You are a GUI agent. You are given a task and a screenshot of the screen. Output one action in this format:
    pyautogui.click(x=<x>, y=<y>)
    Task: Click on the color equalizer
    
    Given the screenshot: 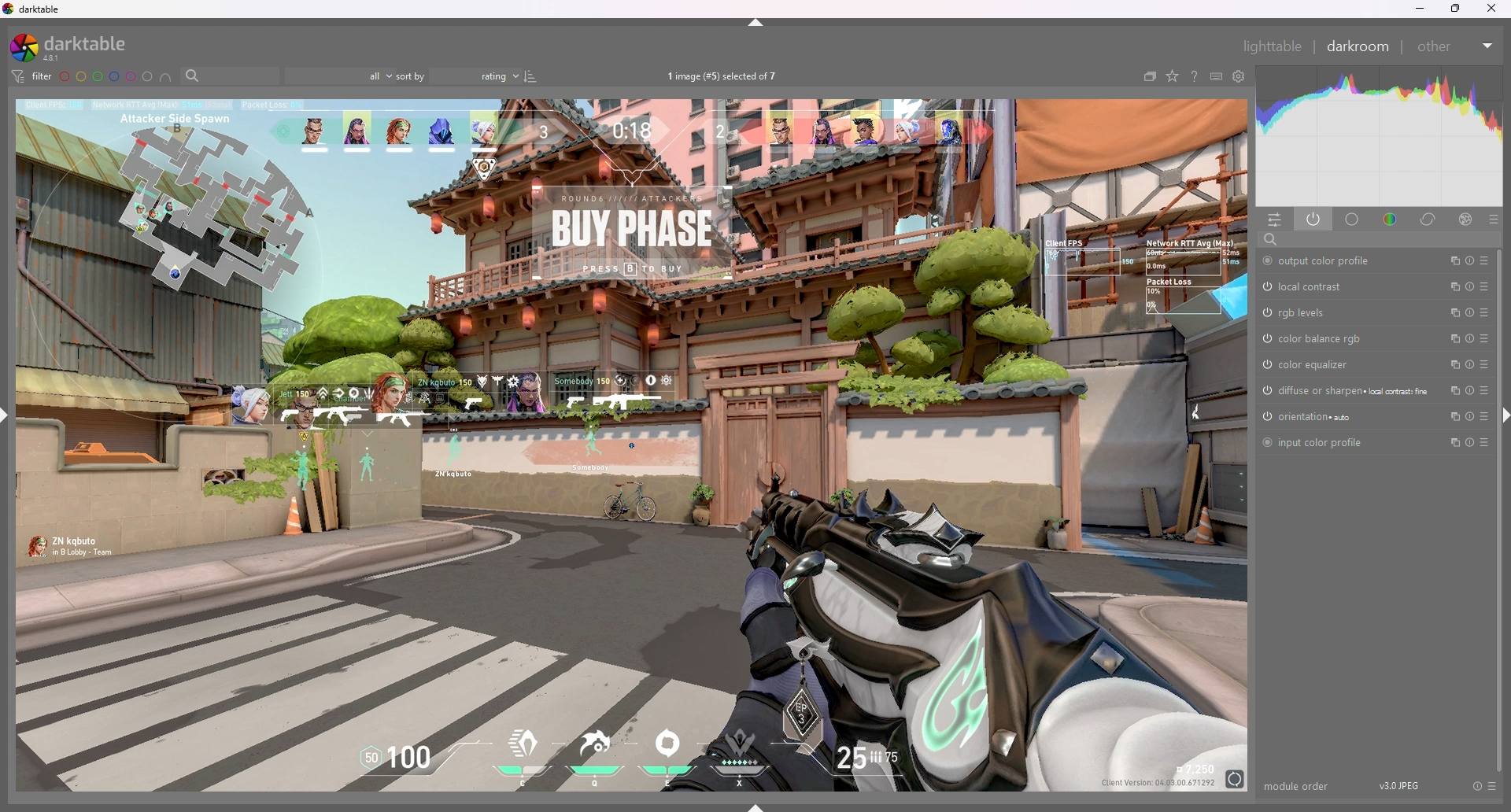 What is the action you would take?
    pyautogui.click(x=1310, y=364)
    